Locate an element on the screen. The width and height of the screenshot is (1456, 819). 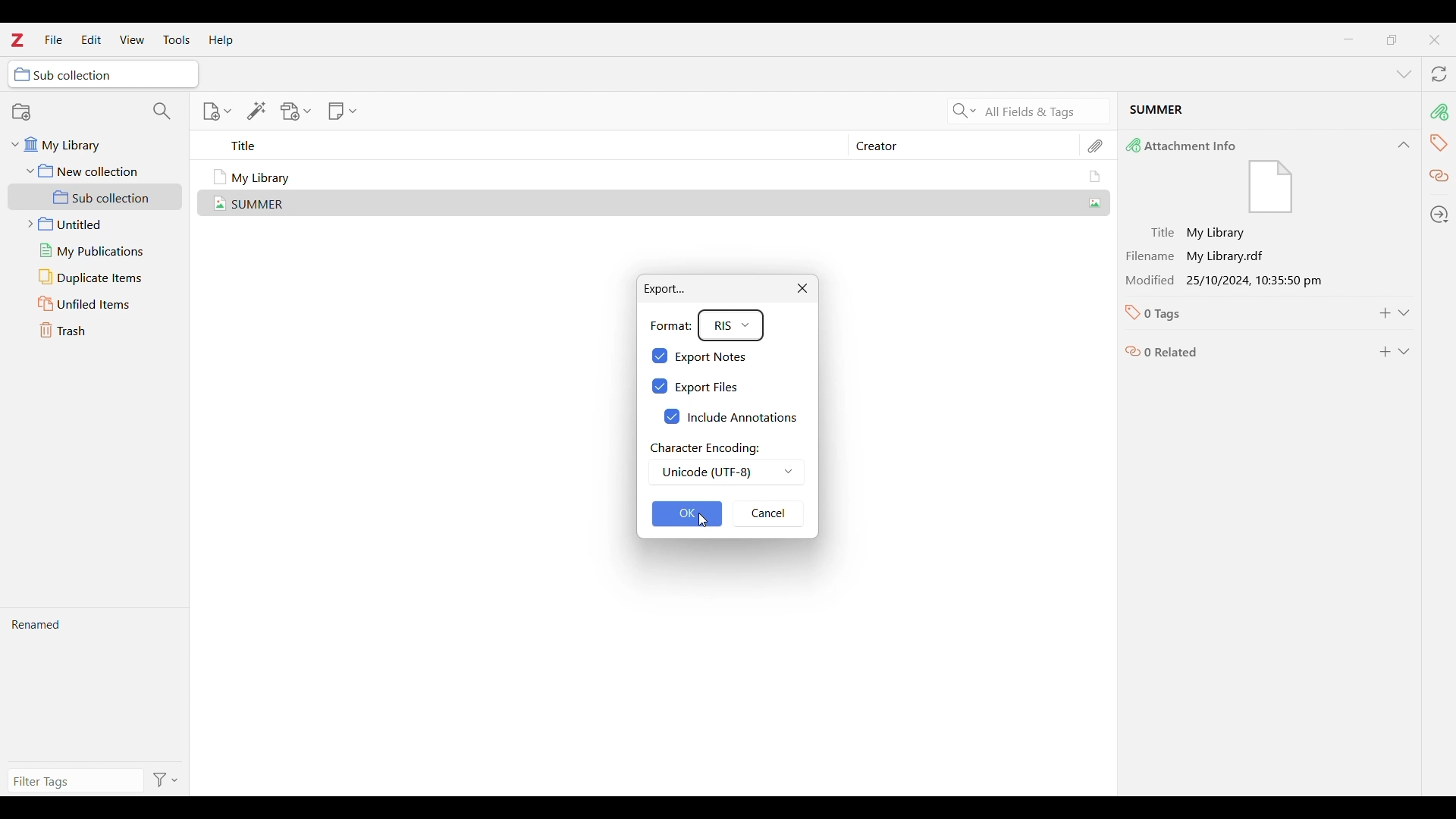
Minimize is located at coordinates (1348, 39).